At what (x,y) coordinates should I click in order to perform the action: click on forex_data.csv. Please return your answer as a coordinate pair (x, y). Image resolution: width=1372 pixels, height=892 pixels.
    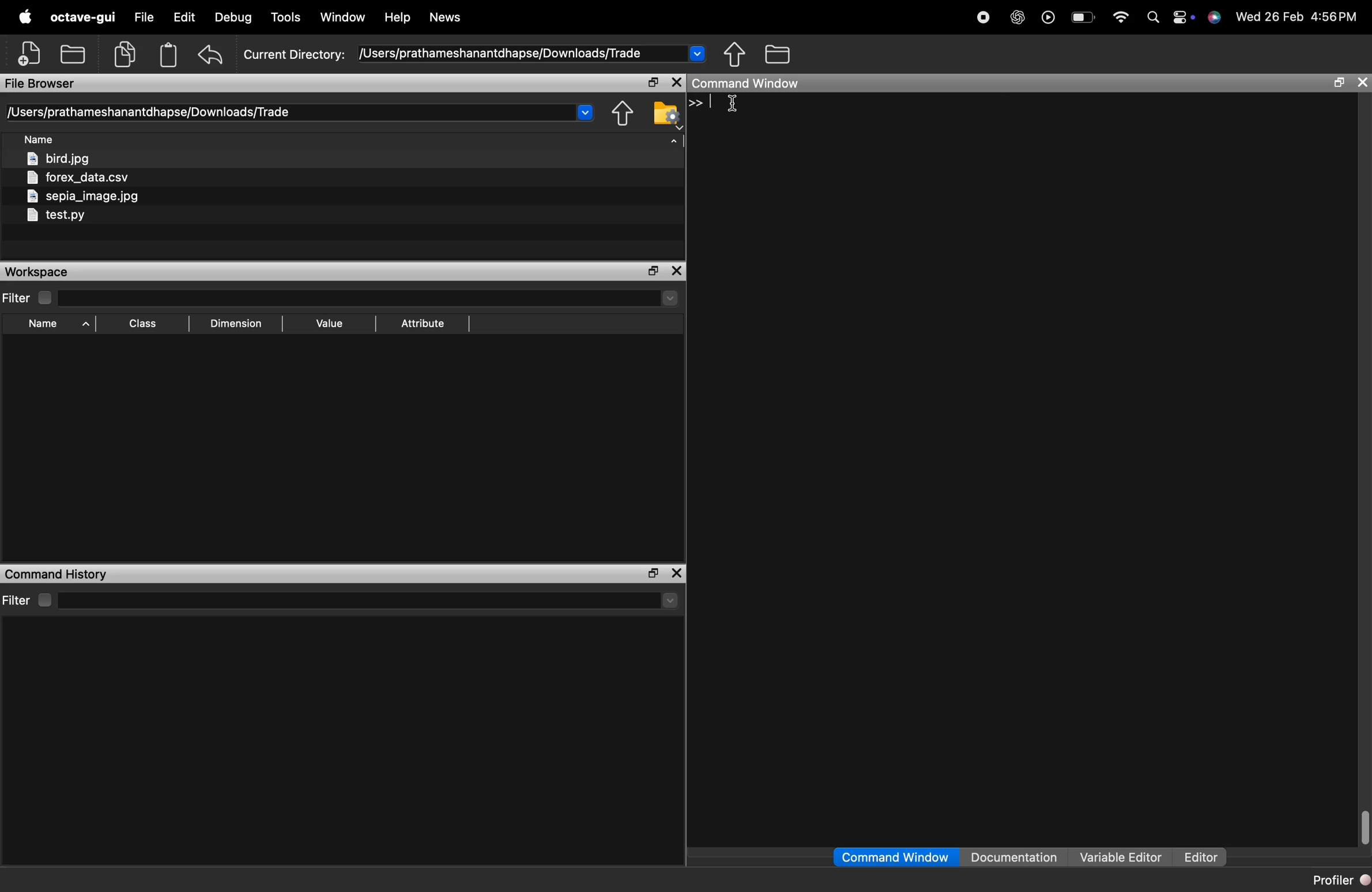
    Looking at the image, I should click on (79, 177).